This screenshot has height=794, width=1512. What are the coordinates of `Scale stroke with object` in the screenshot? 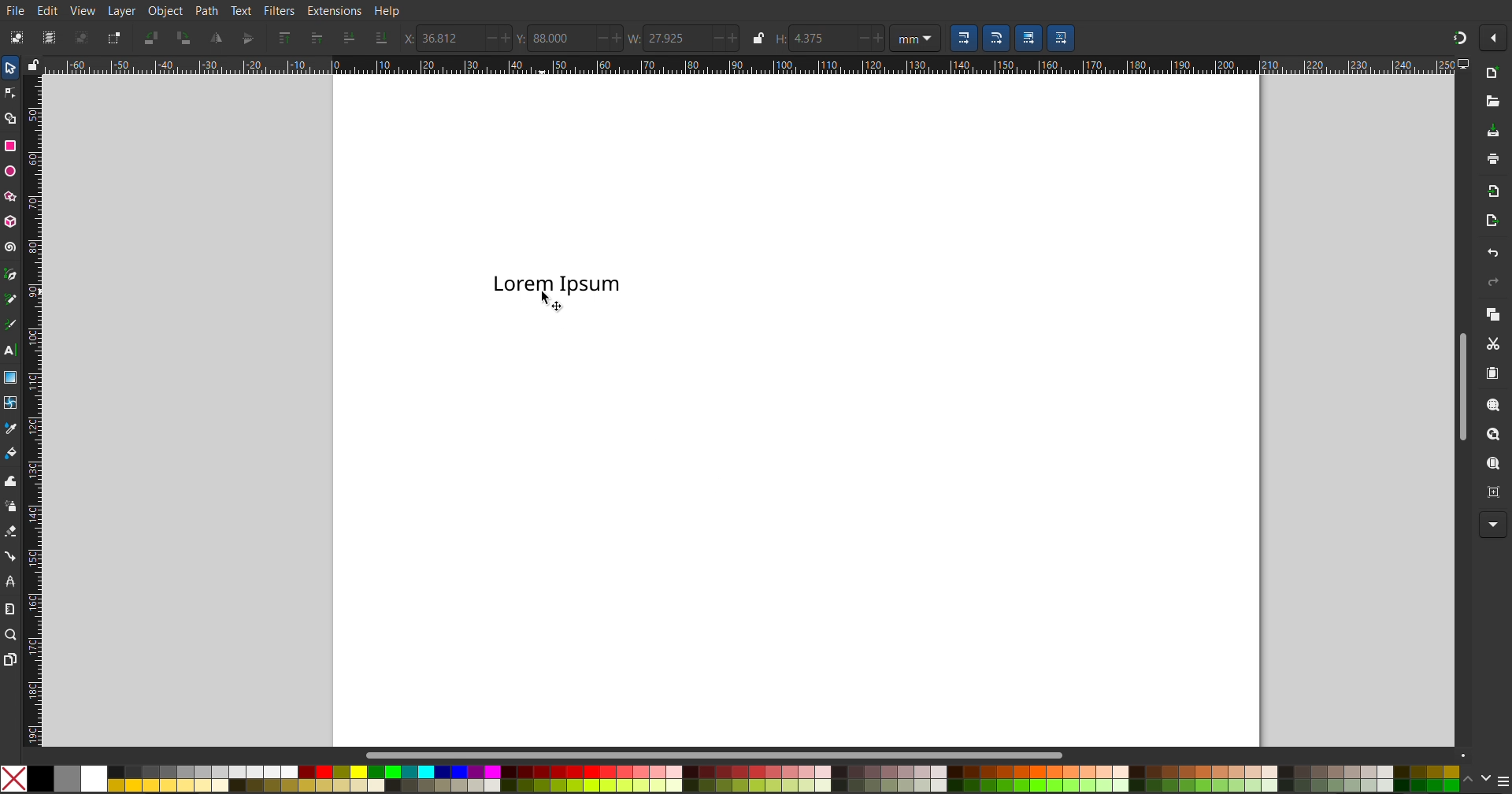 It's located at (964, 39).